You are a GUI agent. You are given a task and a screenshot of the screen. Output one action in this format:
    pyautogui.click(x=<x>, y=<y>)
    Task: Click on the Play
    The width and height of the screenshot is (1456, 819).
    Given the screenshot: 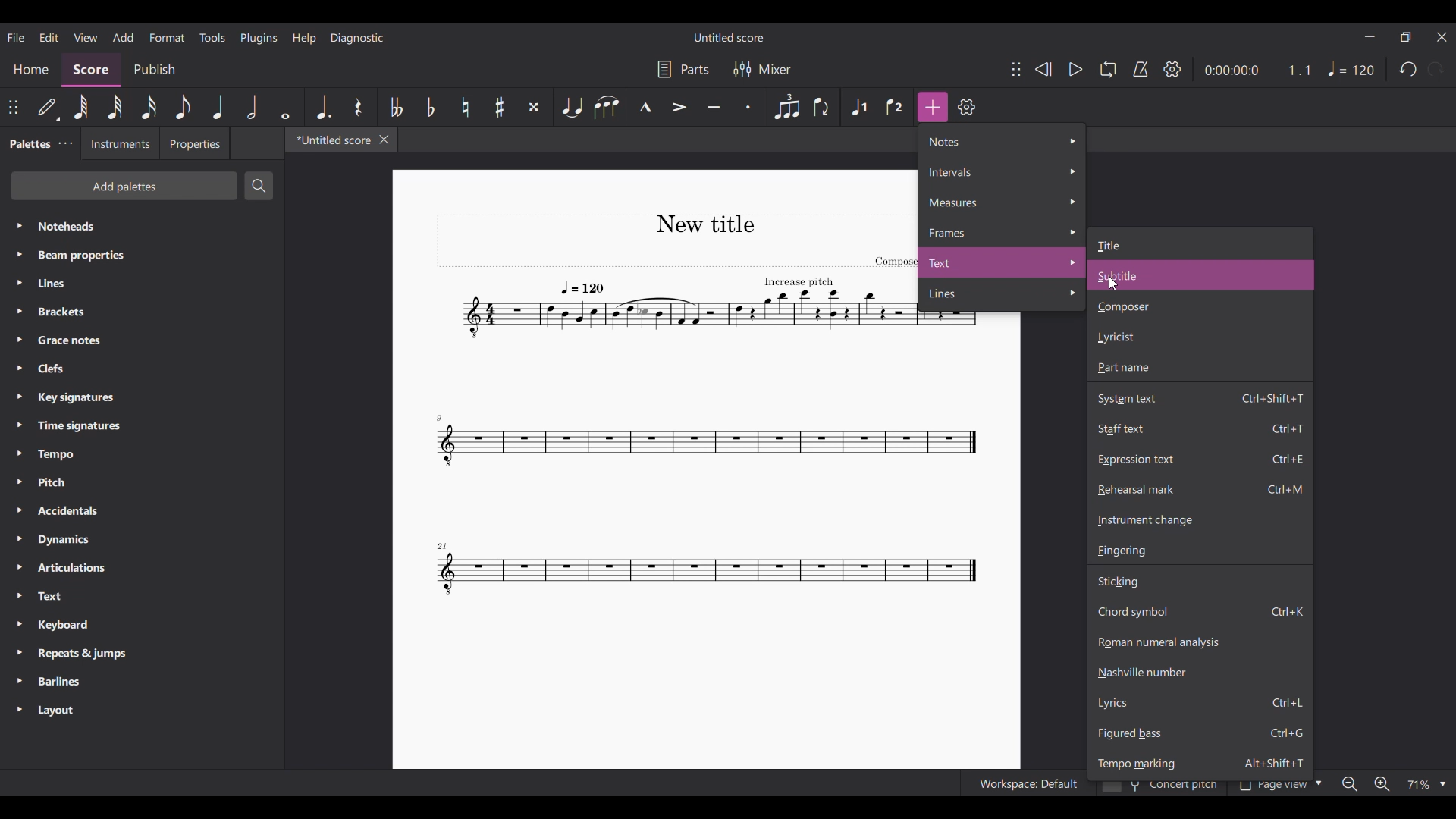 What is the action you would take?
    pyautogui.click(x=1075, y=69)
    